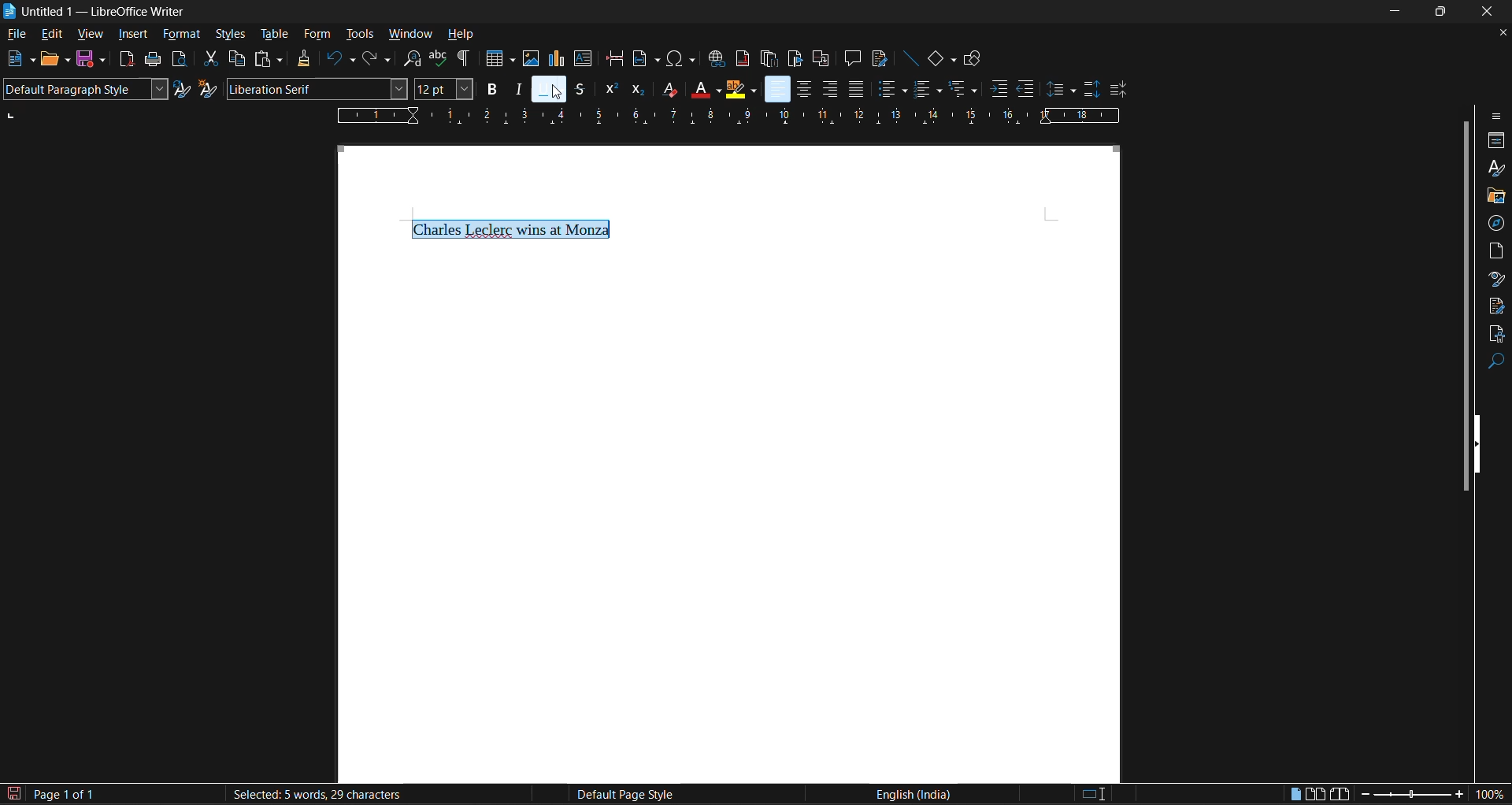 The height and width of the screenshot is (805, 1512). I want to click on align left, so click(778, 88).